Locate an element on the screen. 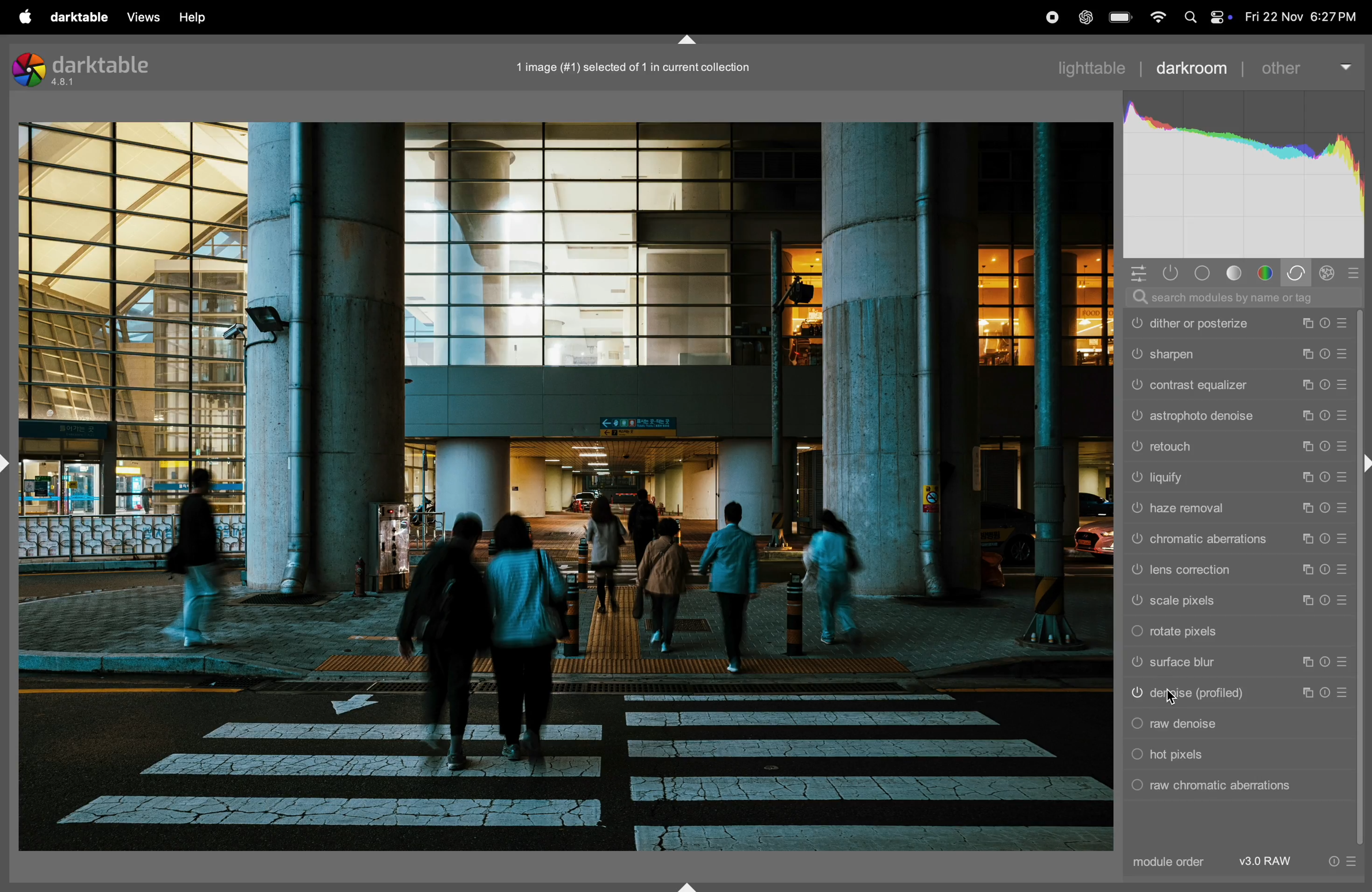 The height and width of the screenshot is (892, 1372). surface blurs is located at coordinates (1240, 662).